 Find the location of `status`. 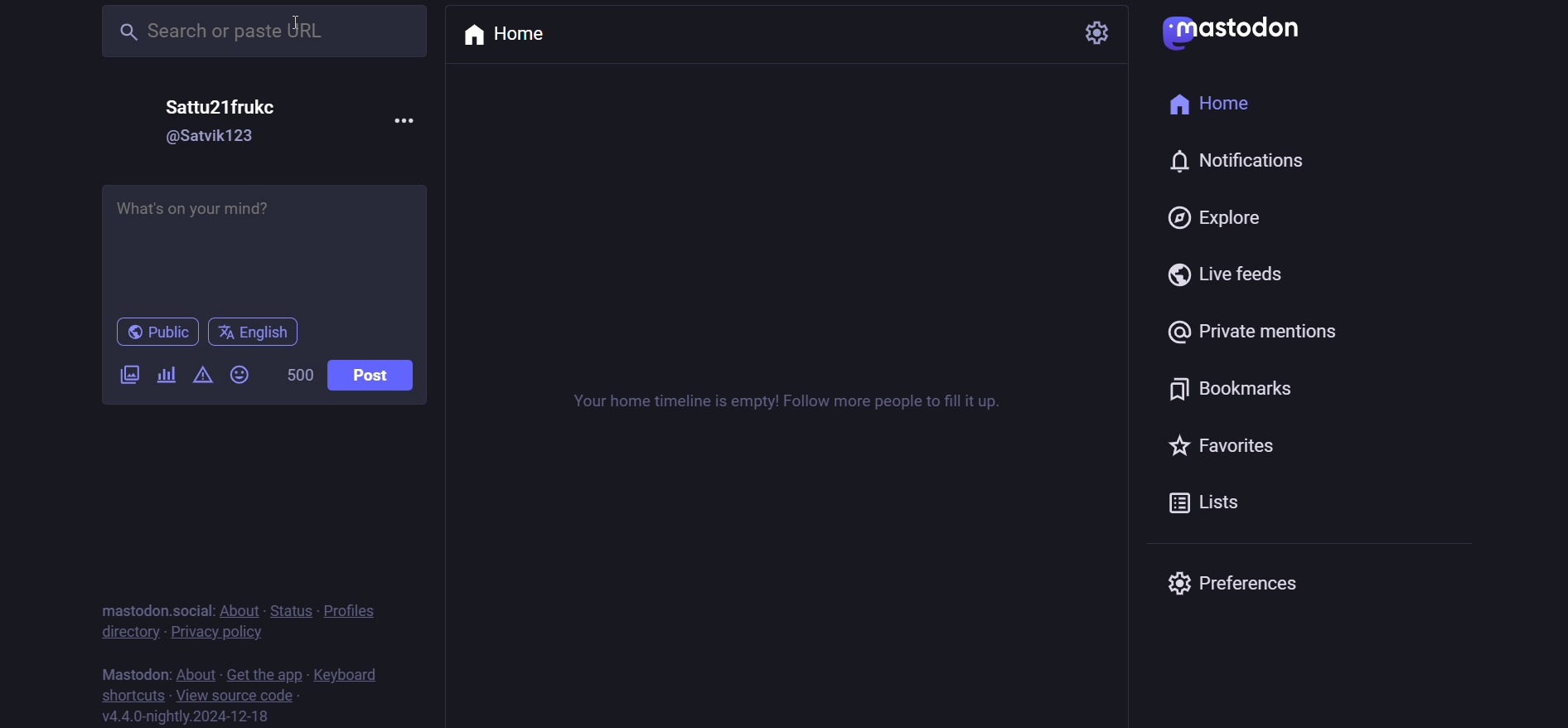

status is located at coordinates (288, 607).